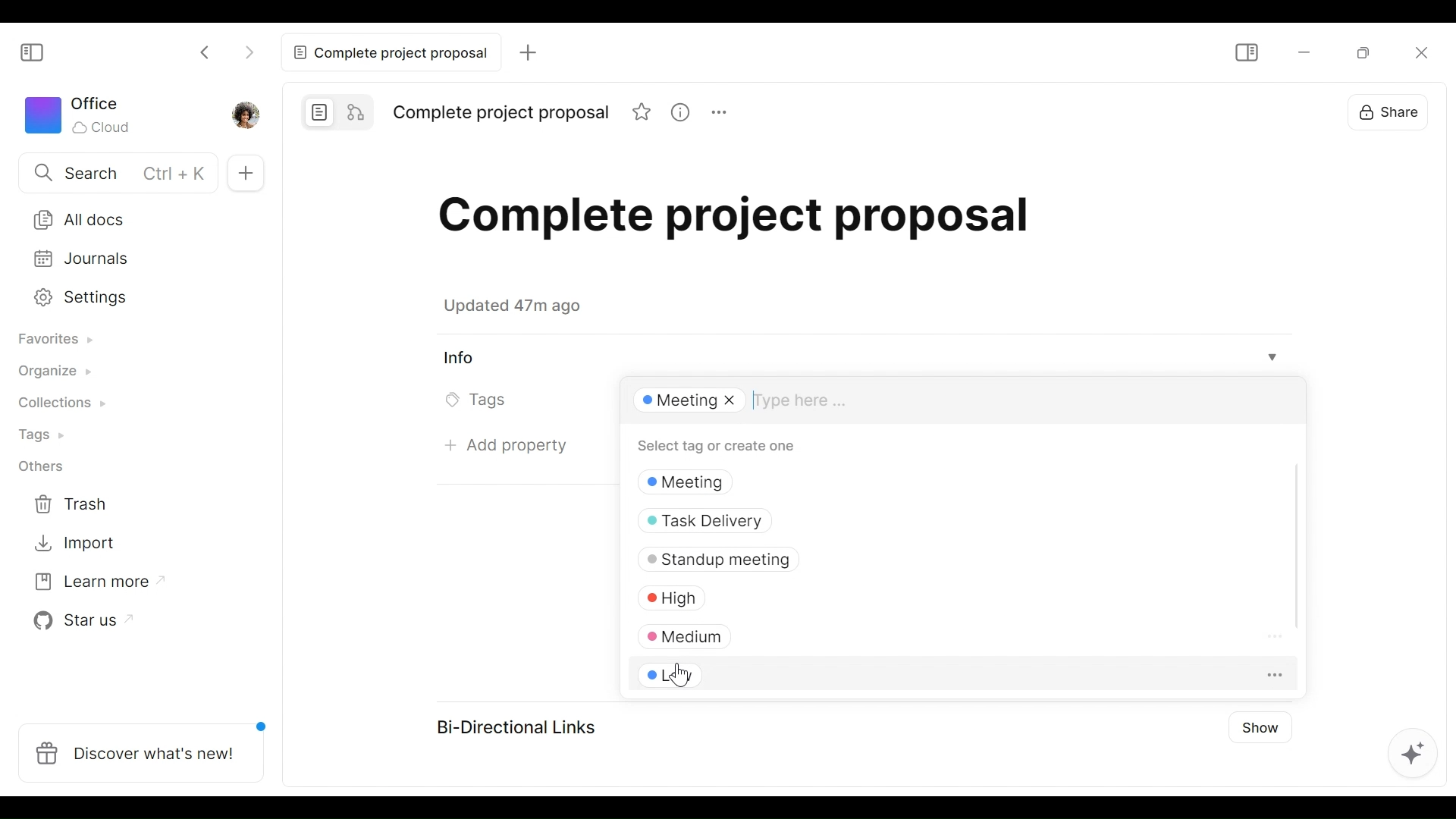  What do you see at coordinates (679, 111) in the screenshot?
I see `View Information` at bounding box center [679, 111].